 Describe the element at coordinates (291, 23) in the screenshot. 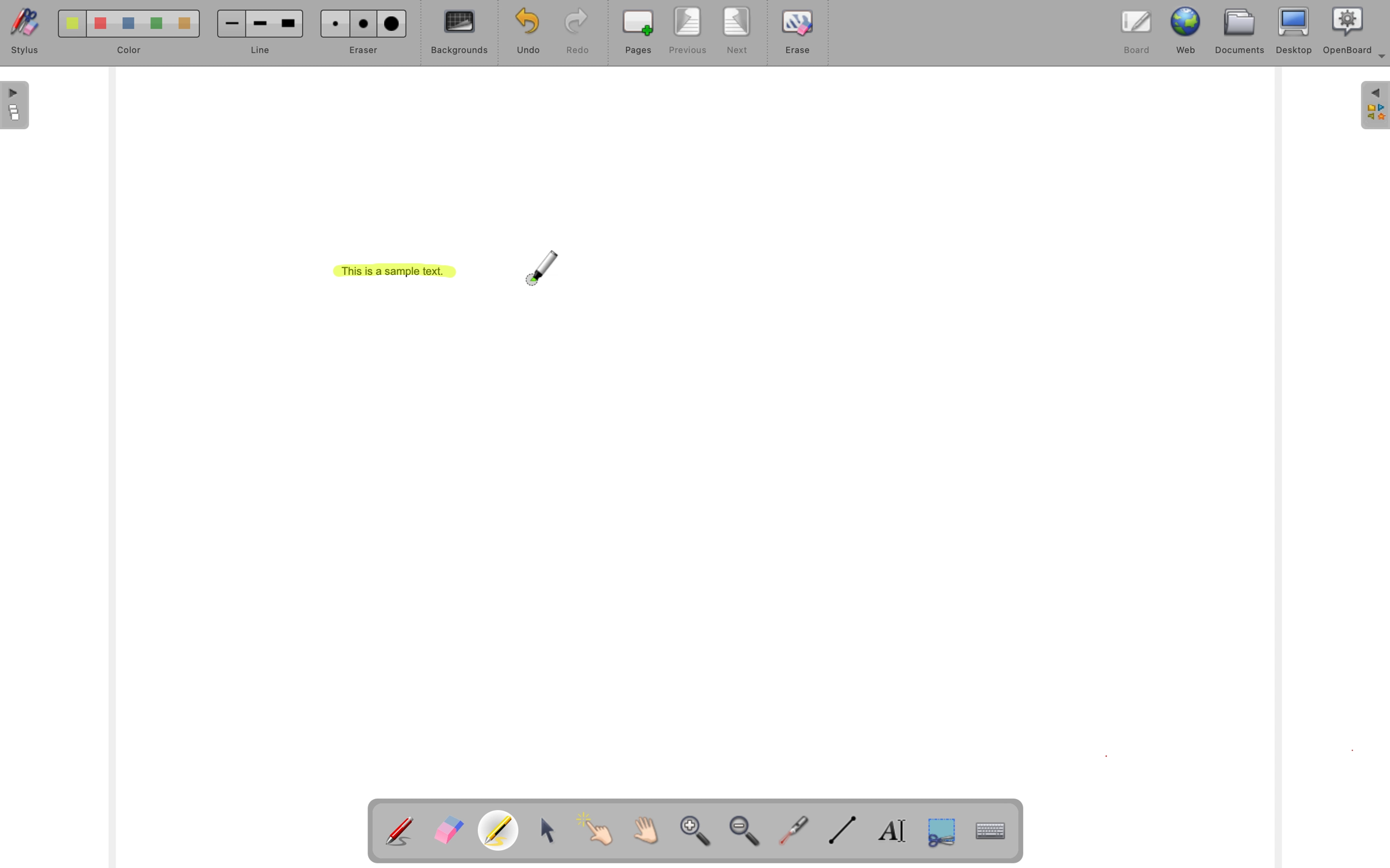

I see `Large line` at that location.